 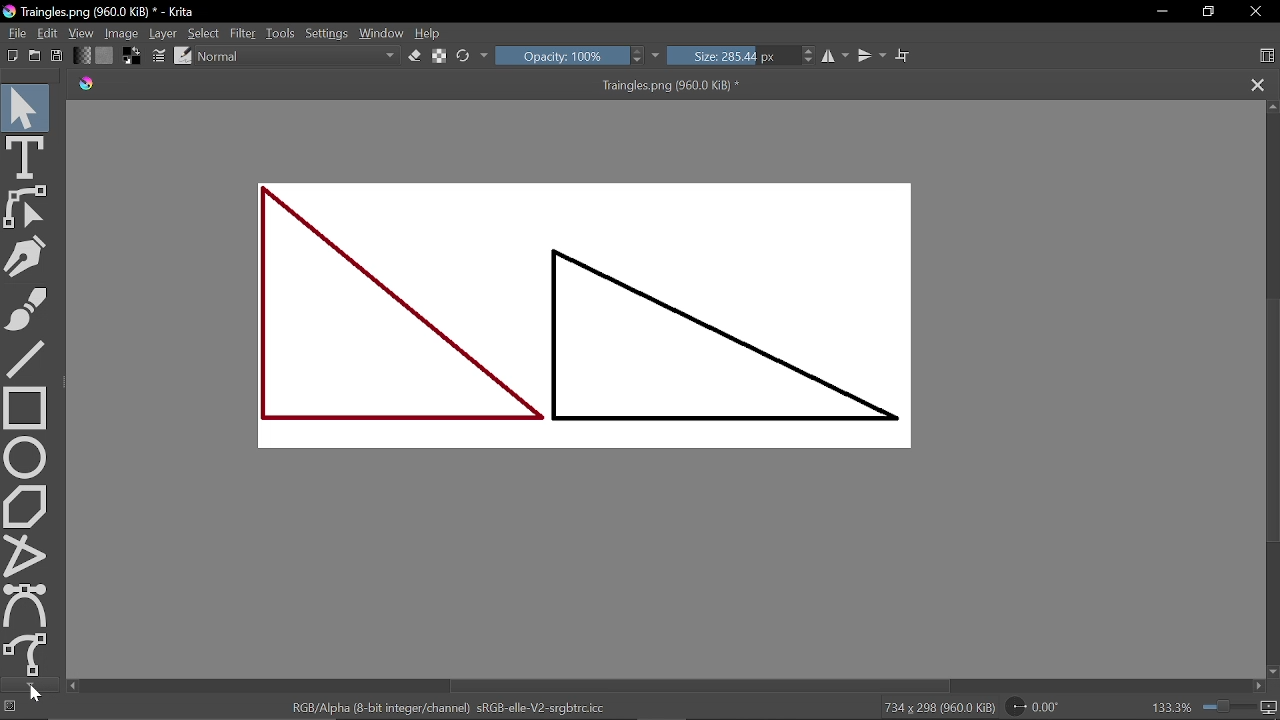 I want to click on File, so click(x=15, y=32).